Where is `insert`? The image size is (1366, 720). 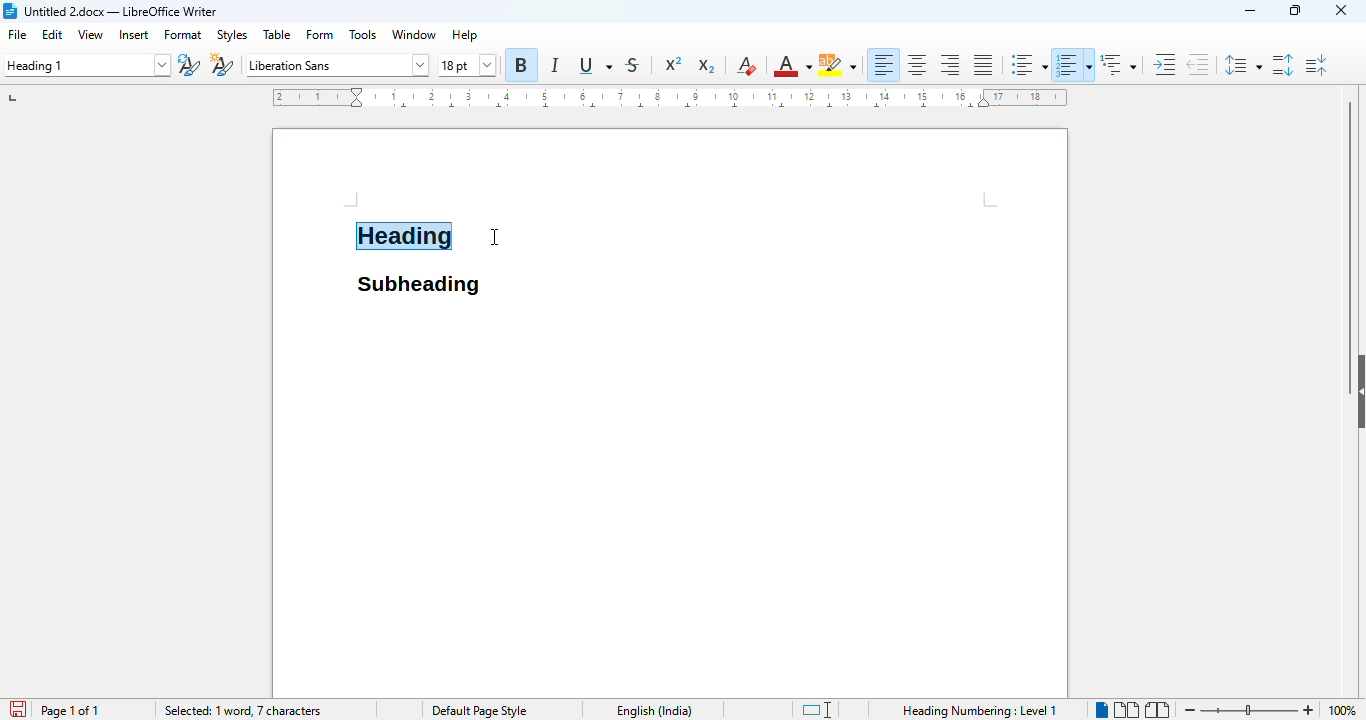 insert is located at coordinates (134, 34).